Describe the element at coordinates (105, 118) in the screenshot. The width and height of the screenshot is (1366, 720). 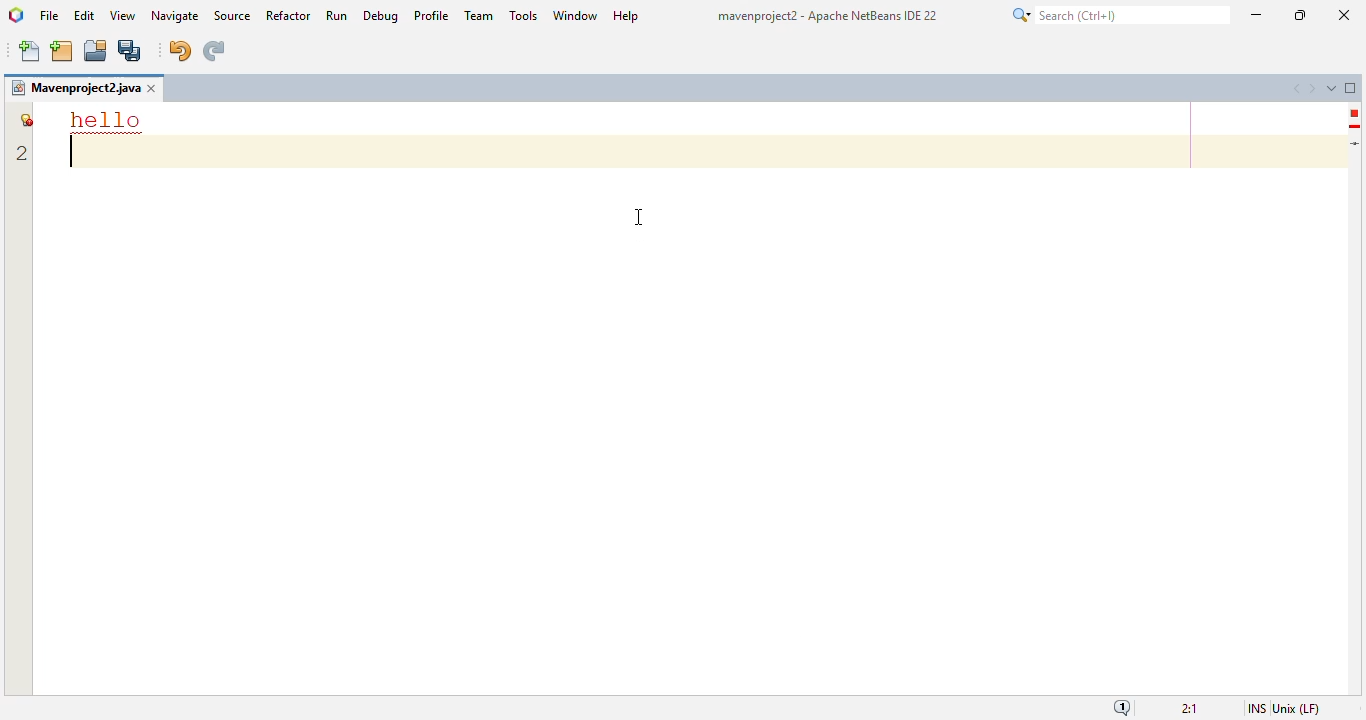
I see `font size and color settings changed for better readability` at that location.